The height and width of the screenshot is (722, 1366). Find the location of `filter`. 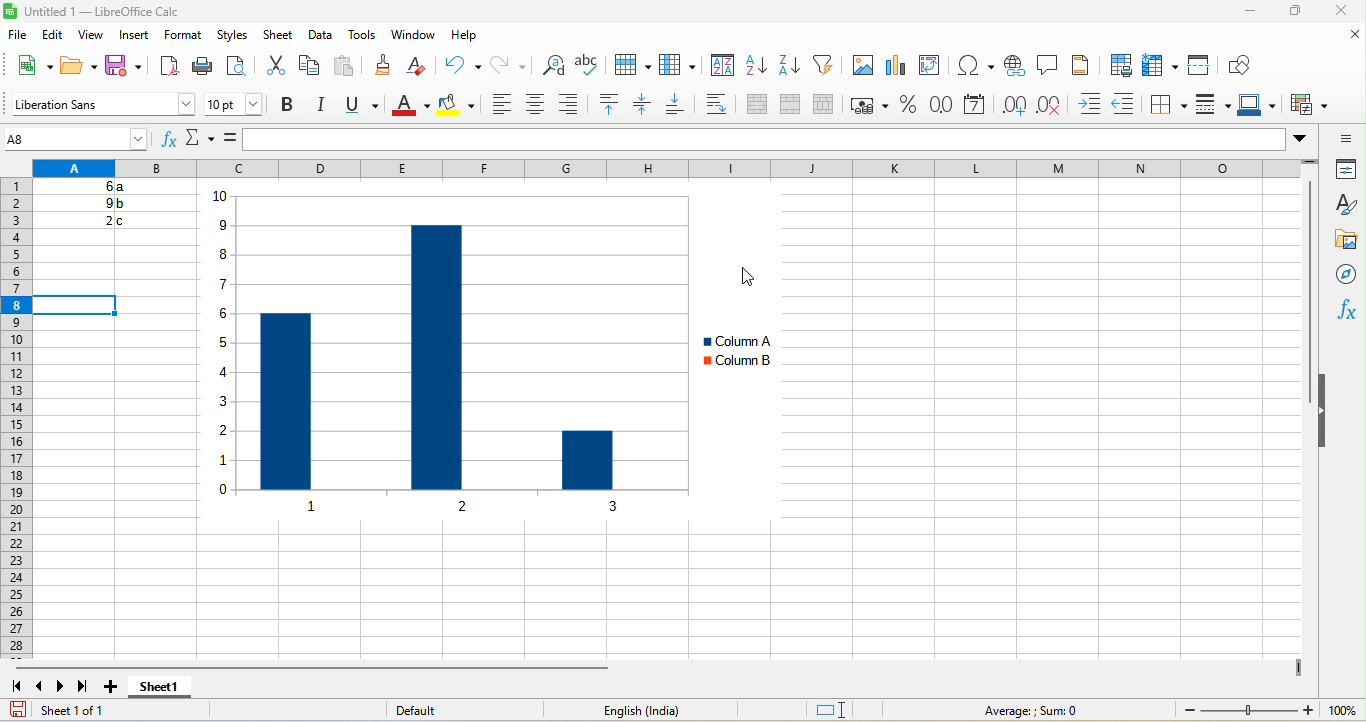

filter is located at coordinates (826, 69).